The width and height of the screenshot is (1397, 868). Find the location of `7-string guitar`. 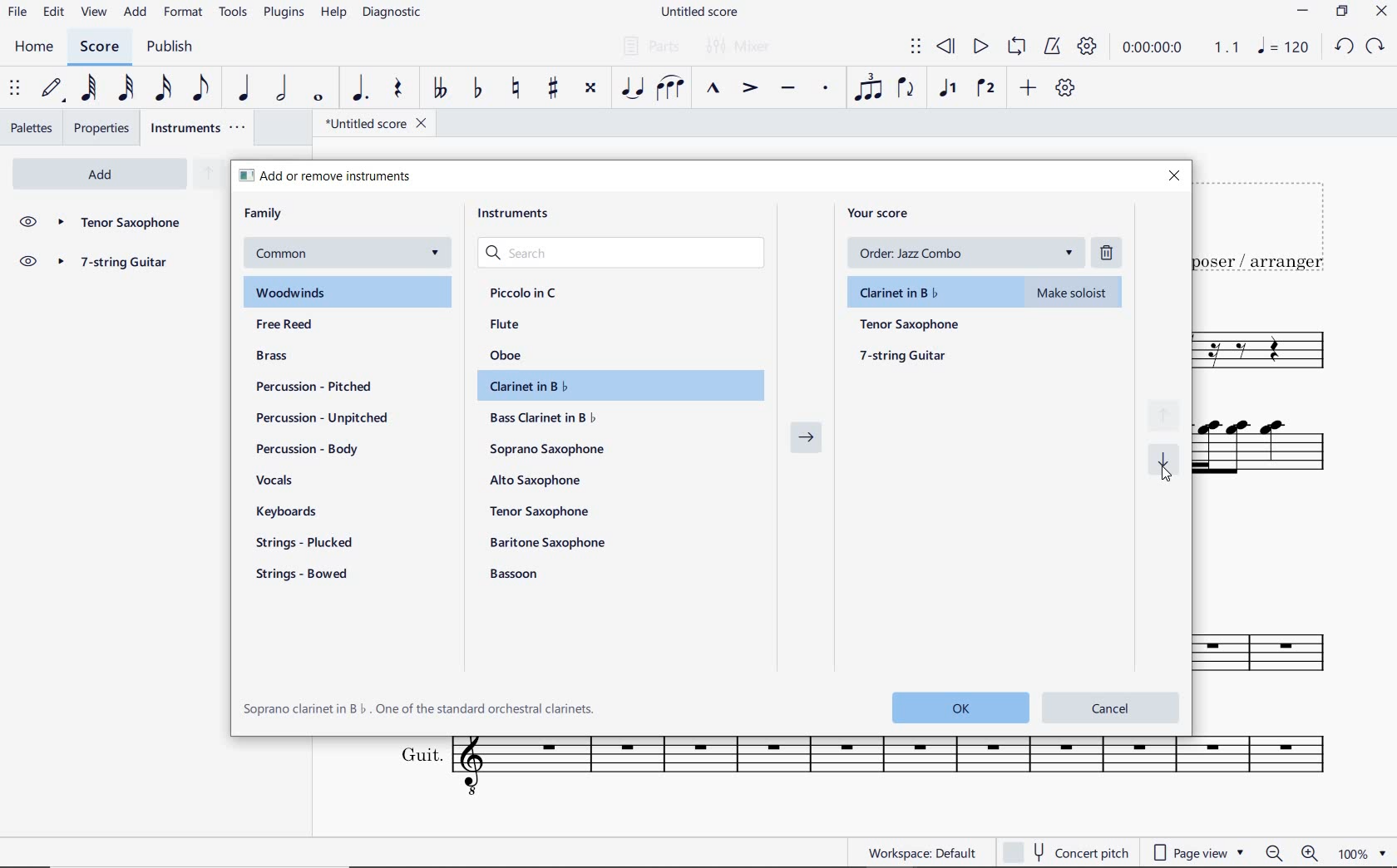

7-string guitar is located at coordinates (905, 355).